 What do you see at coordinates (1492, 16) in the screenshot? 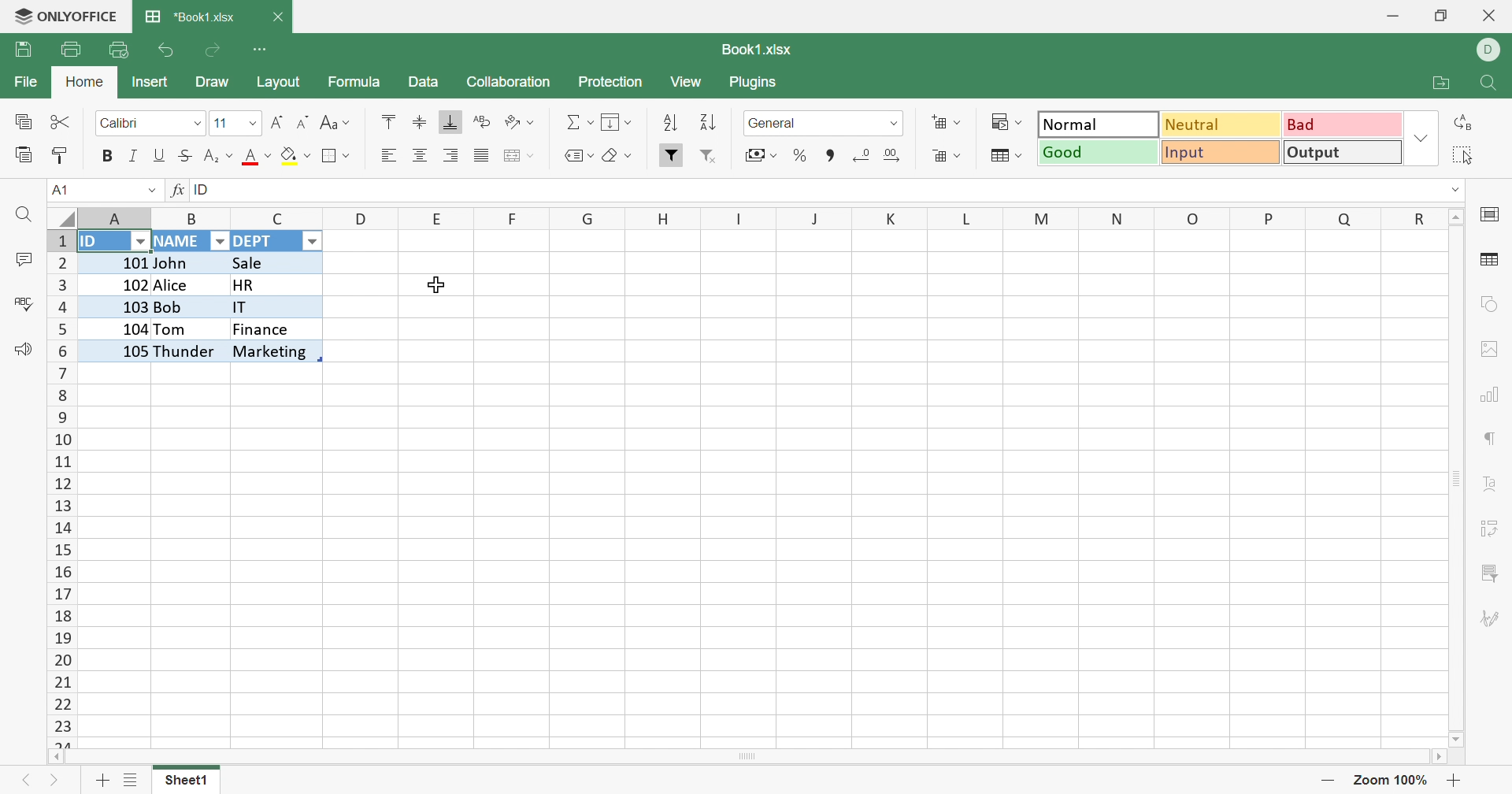
I see `Close` at bounding box center [1492, 16].